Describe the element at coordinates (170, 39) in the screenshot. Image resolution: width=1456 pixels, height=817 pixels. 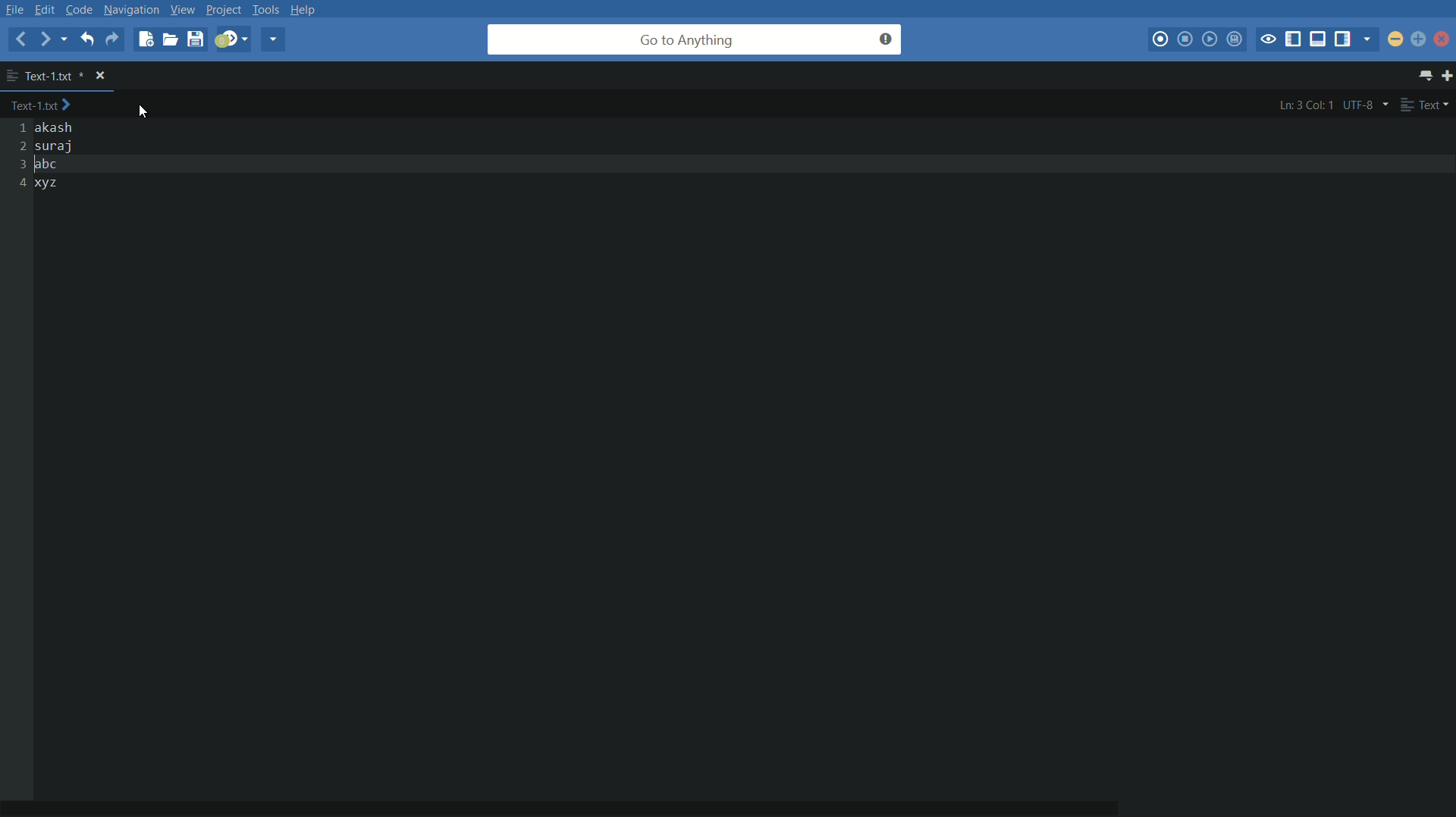
I see `open file` at that location.